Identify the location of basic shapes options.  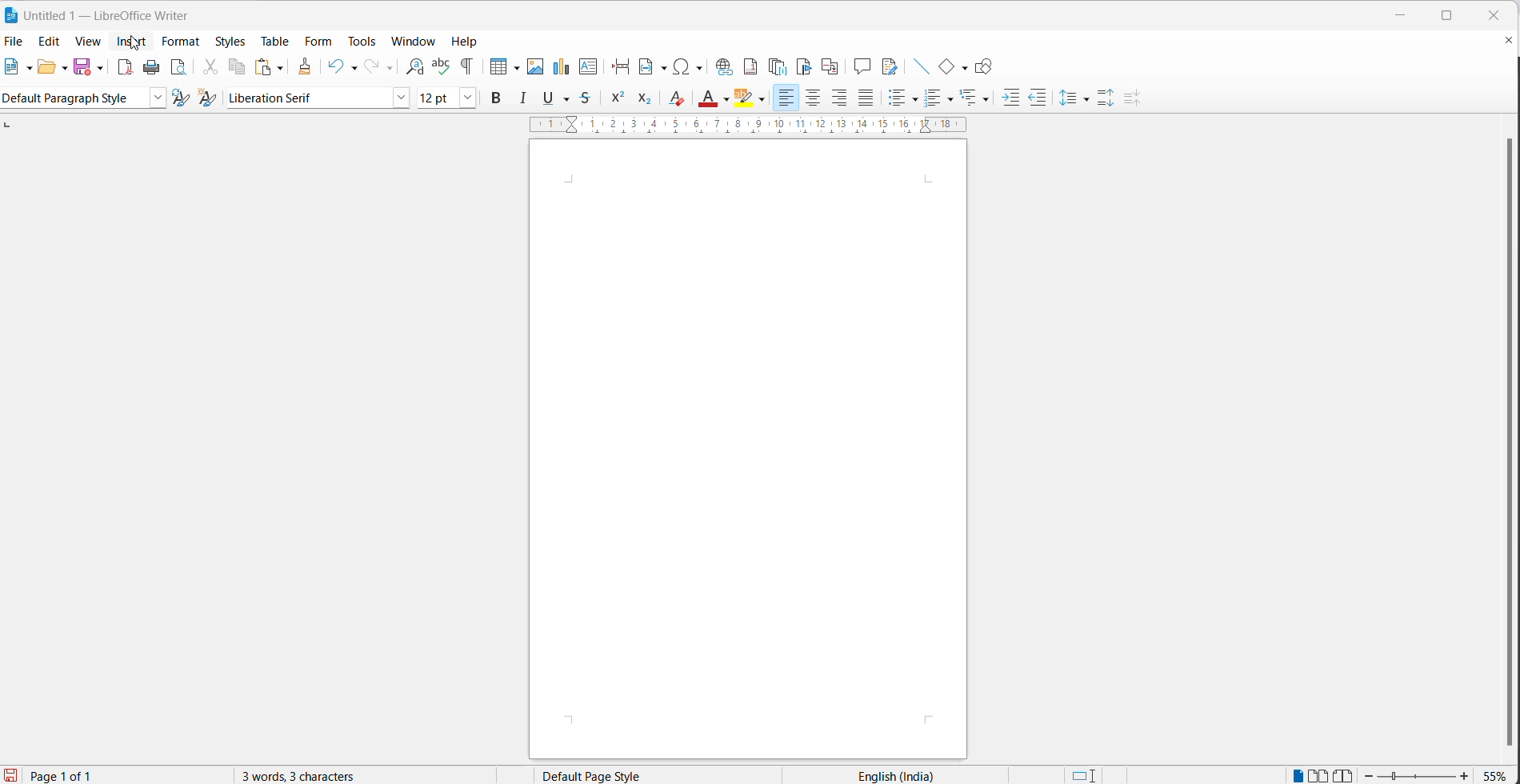
(966, 70).